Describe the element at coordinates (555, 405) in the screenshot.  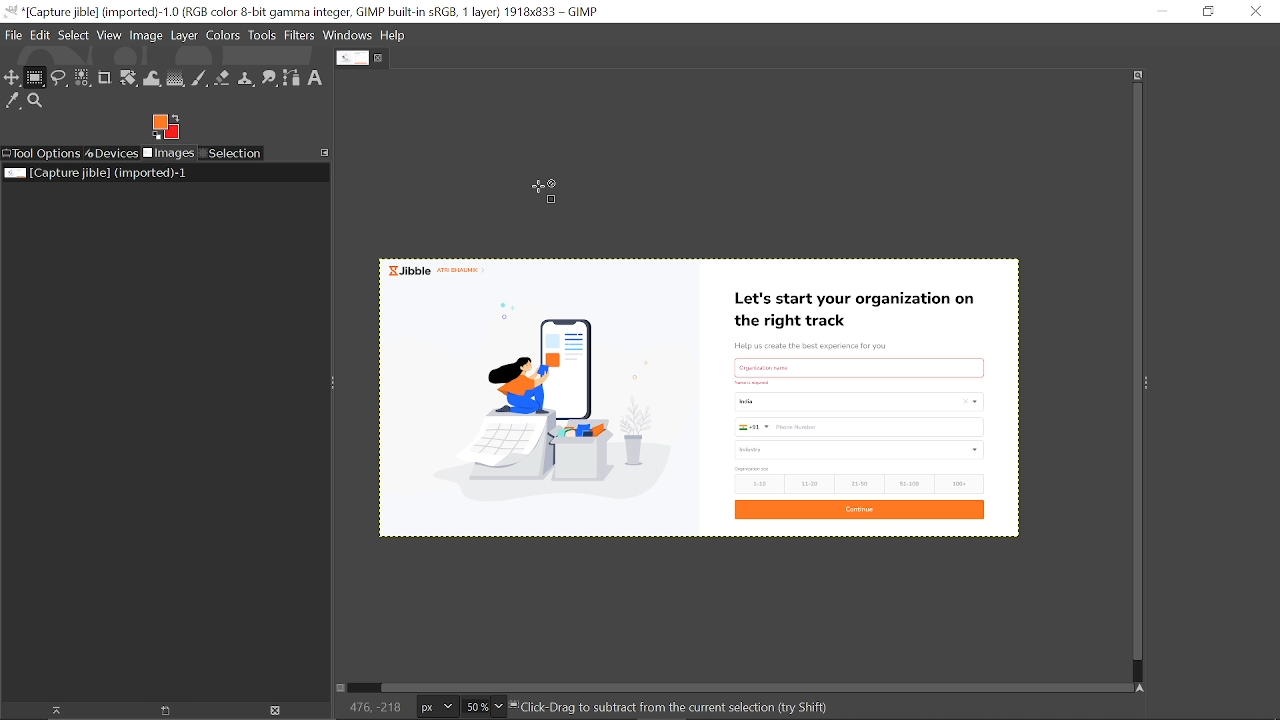
I see `Selection deselected` at that location.